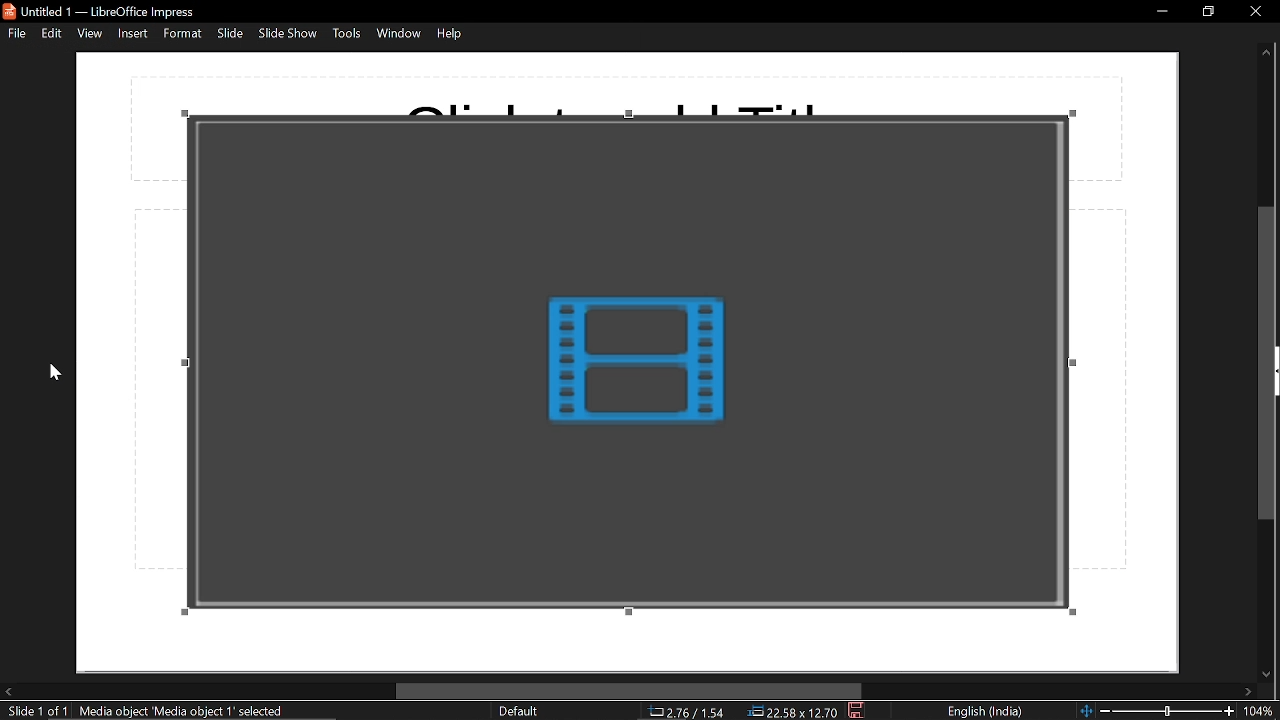 The width and height of the screenshot is (1280, 720). What do you see at coordinates (1269, 670) in the screenshot?
I see `move down` at bounding box center [1269, 670].